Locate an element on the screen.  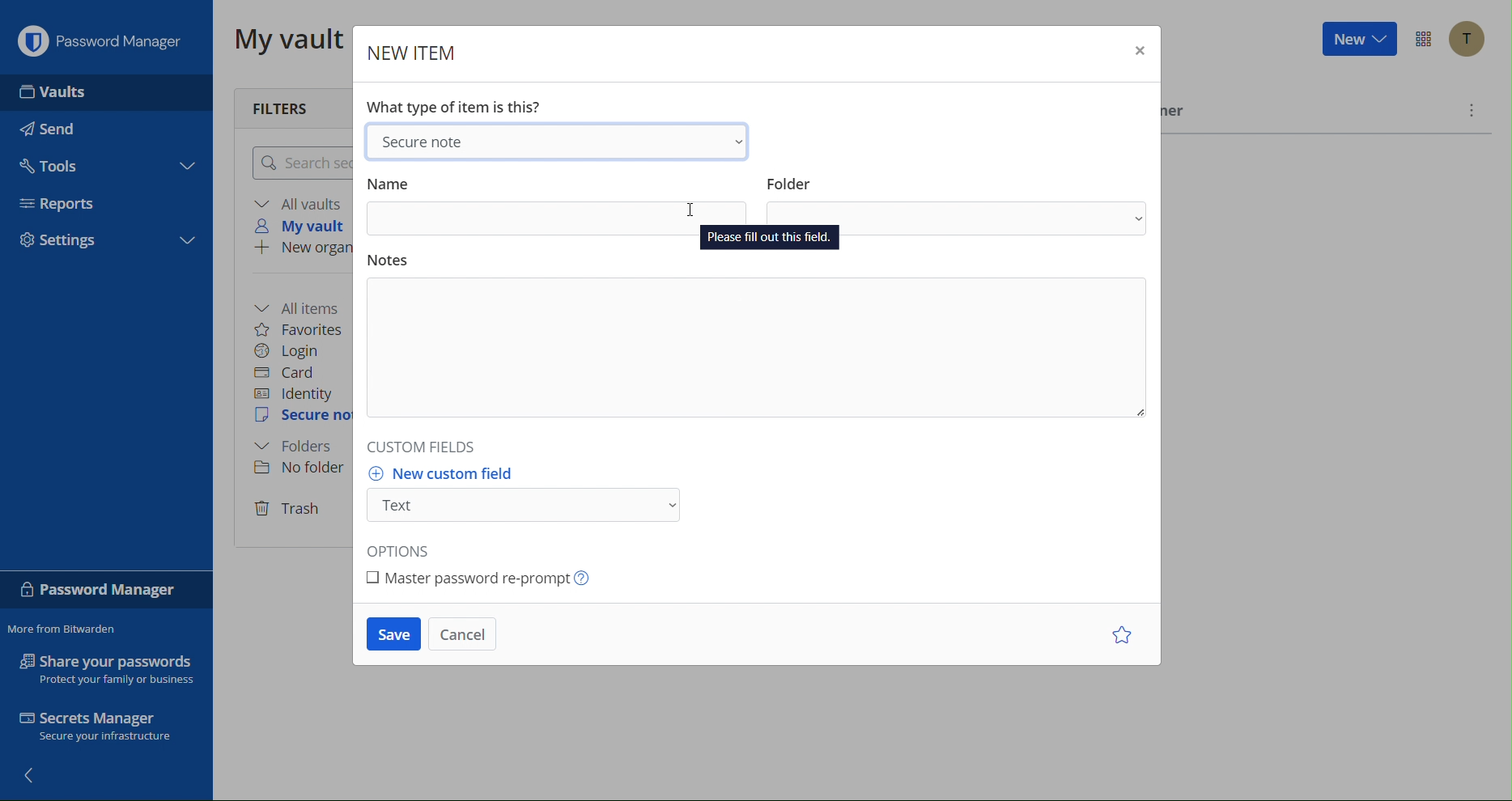
My vault is located at coordinates (283, 40).